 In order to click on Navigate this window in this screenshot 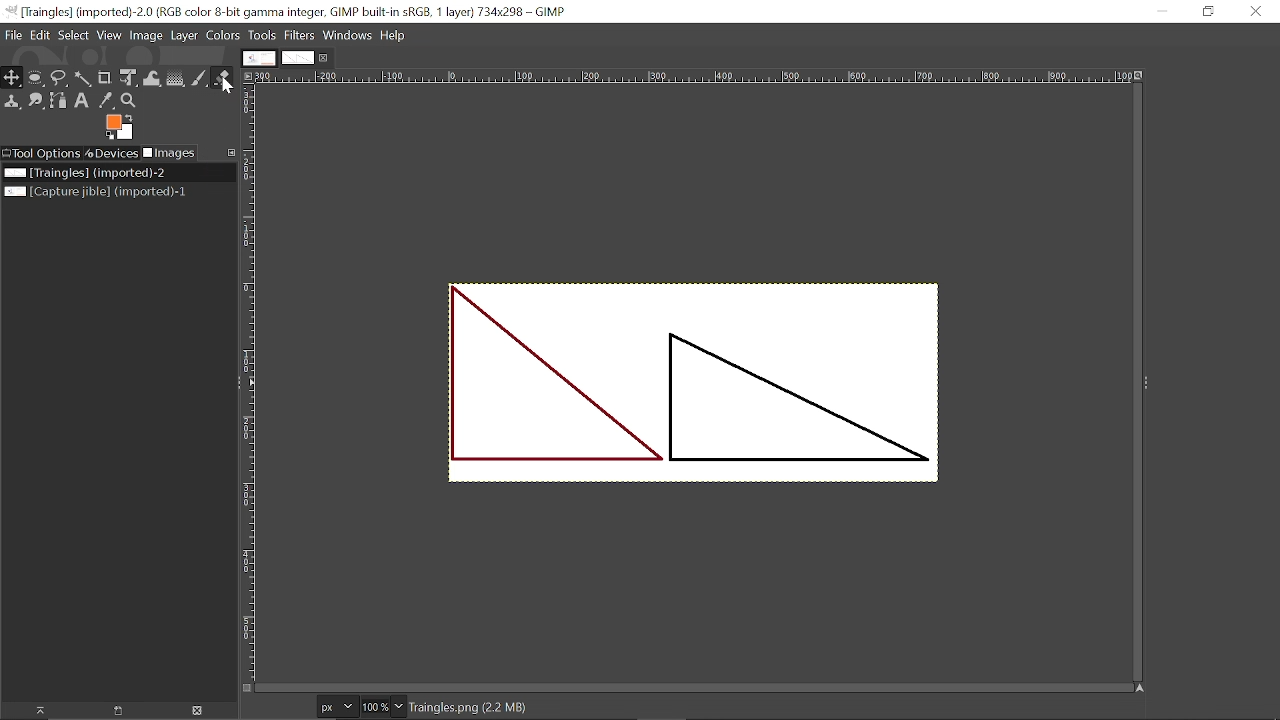, I will do `click(1141, 688)`.